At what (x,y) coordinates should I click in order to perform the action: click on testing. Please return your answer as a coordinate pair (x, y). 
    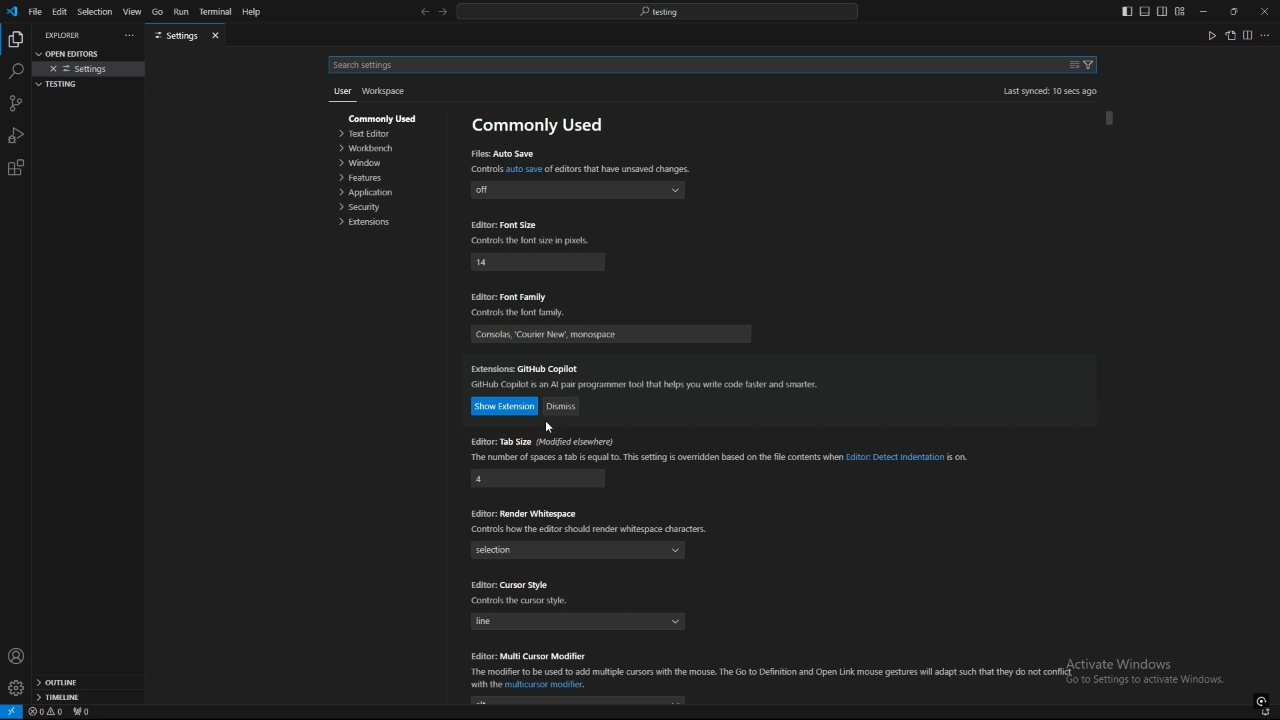
    Looking at the image, I should click on (66, 88).